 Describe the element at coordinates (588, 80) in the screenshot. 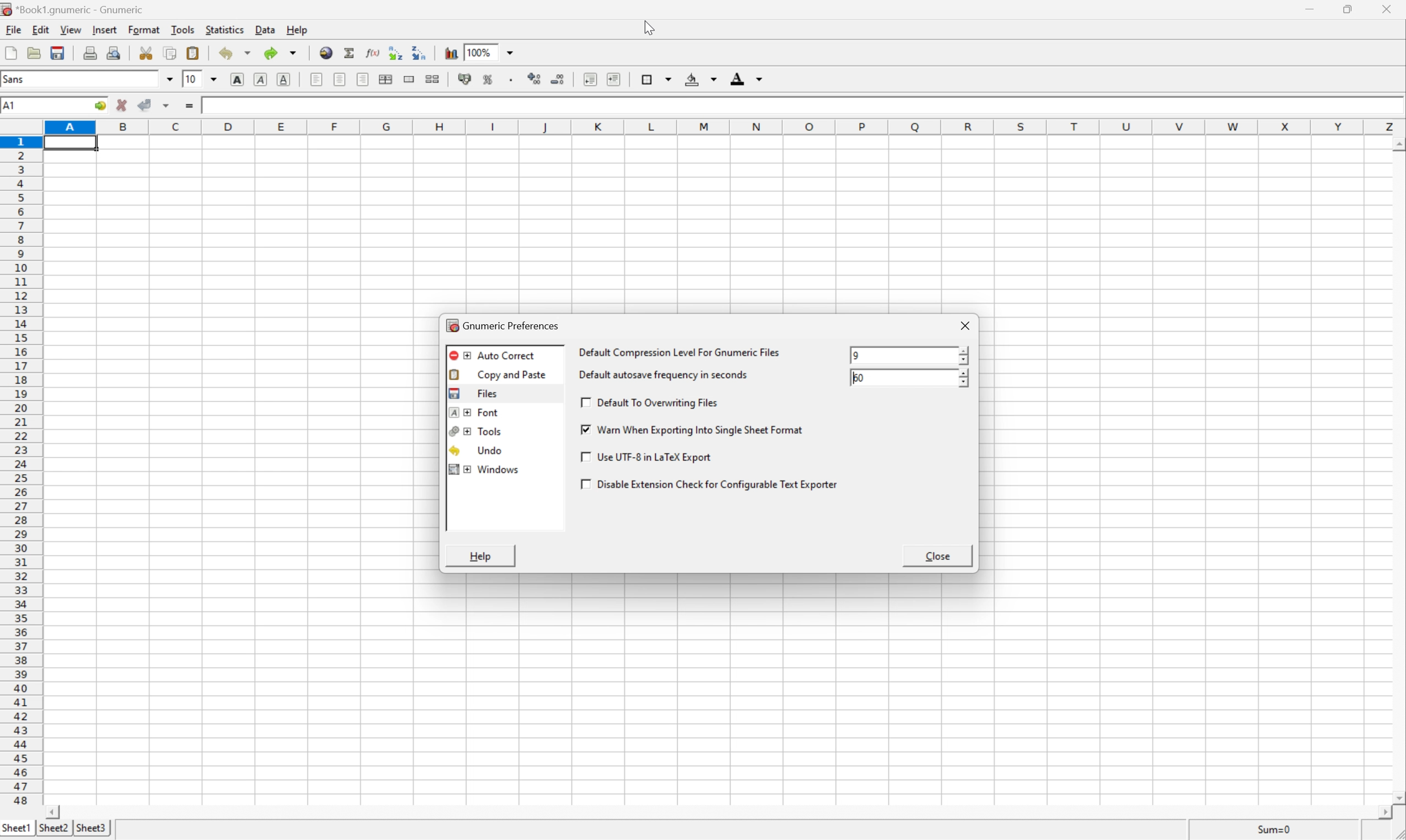

I see `decrease indent` at that location.